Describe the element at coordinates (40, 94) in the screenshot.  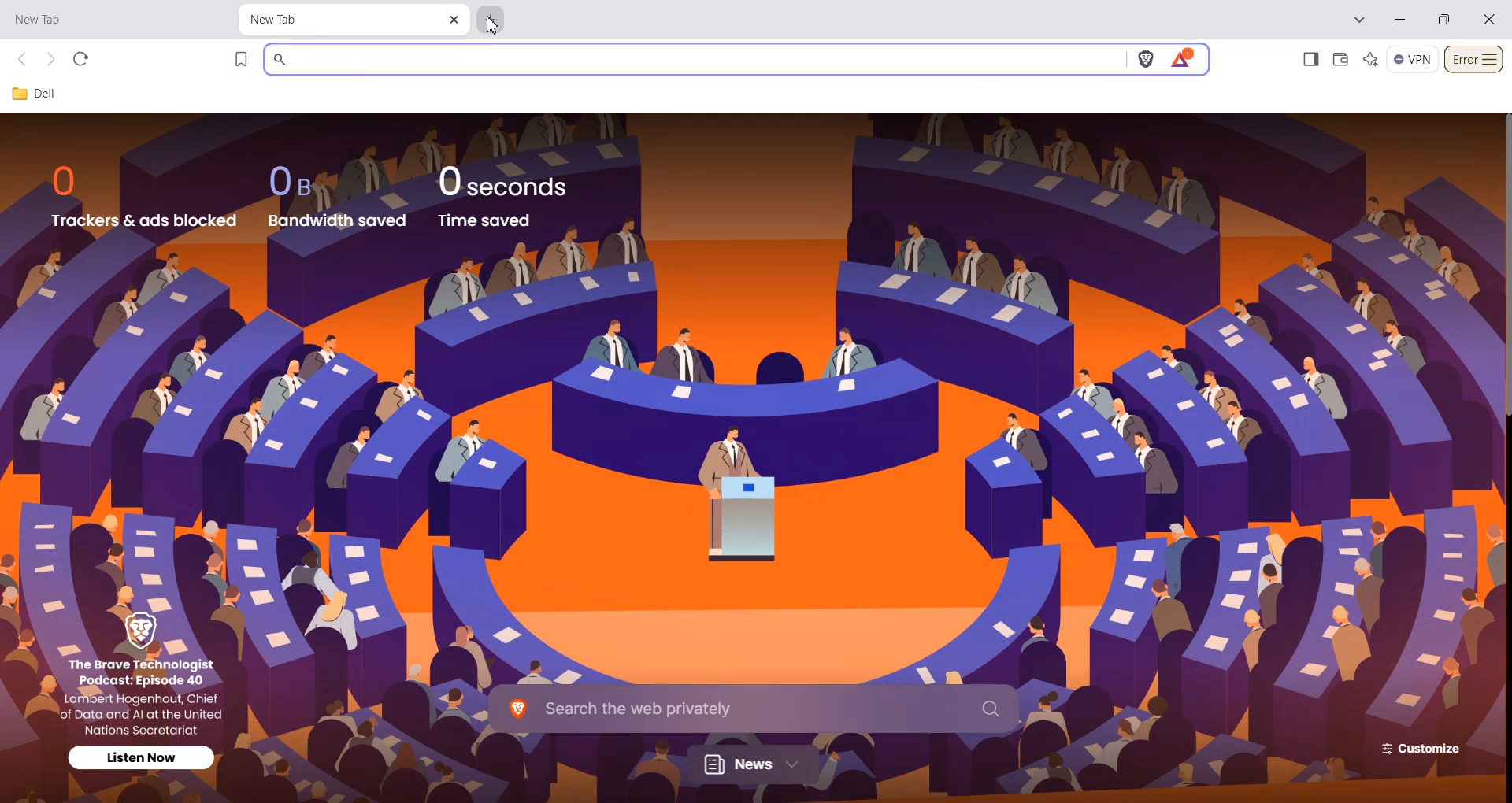
I see `Dell File` at that location.